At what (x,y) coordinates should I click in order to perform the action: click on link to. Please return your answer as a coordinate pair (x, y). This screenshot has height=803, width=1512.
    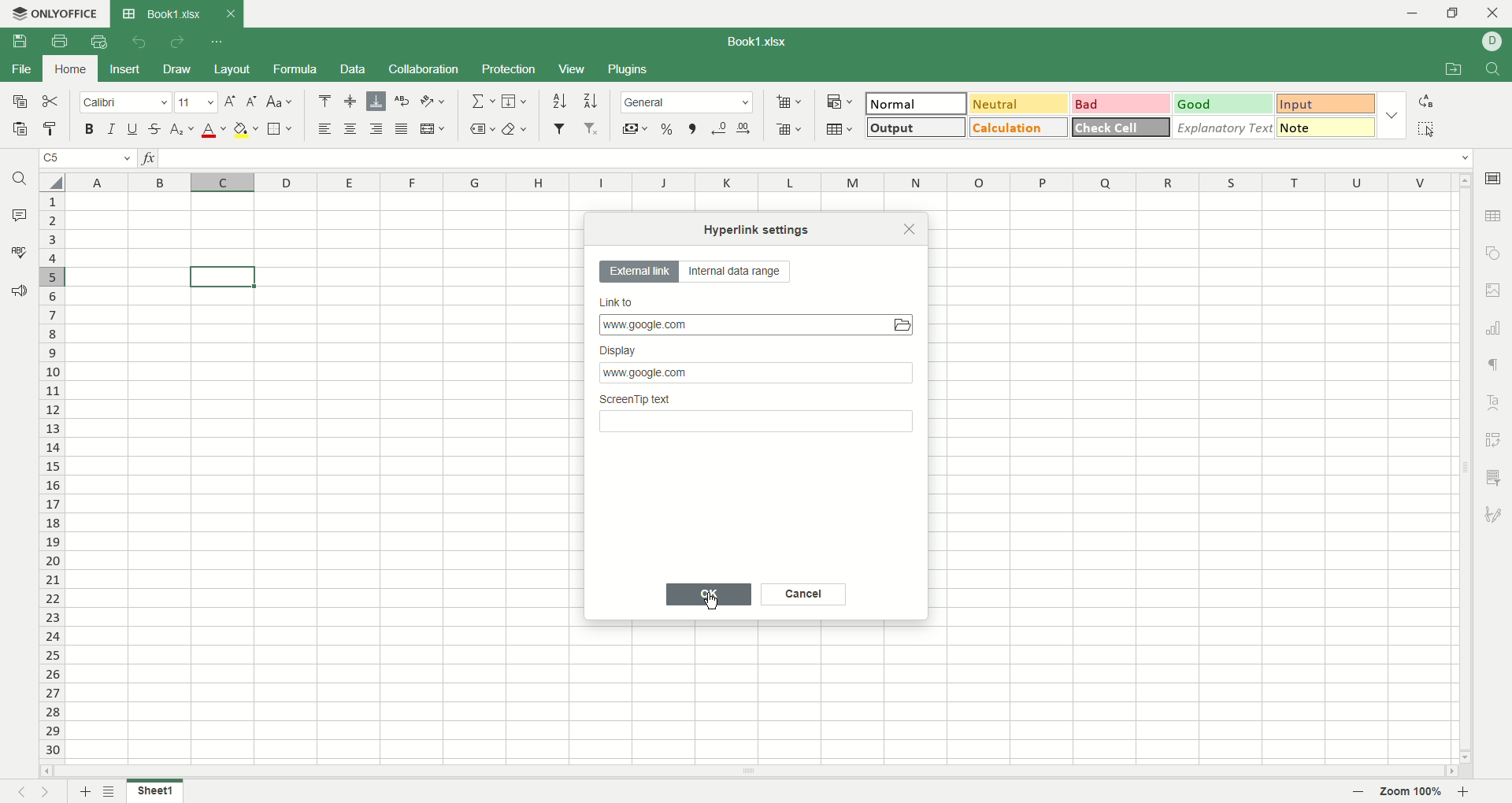
    Looking at the image, I should click on (744, 301).